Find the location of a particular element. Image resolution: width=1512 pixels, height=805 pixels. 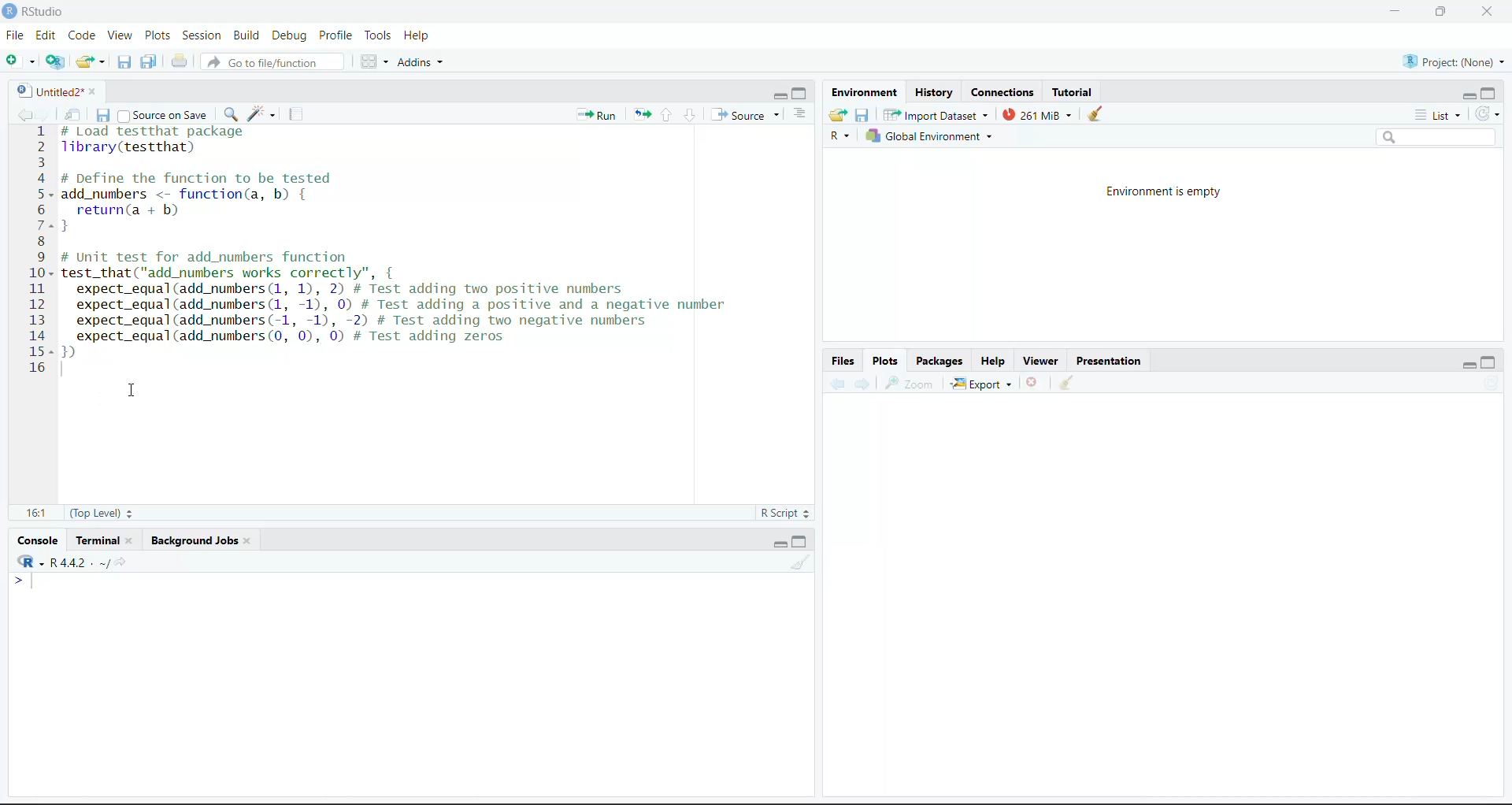

cursor is located at coordinates (132, 391).